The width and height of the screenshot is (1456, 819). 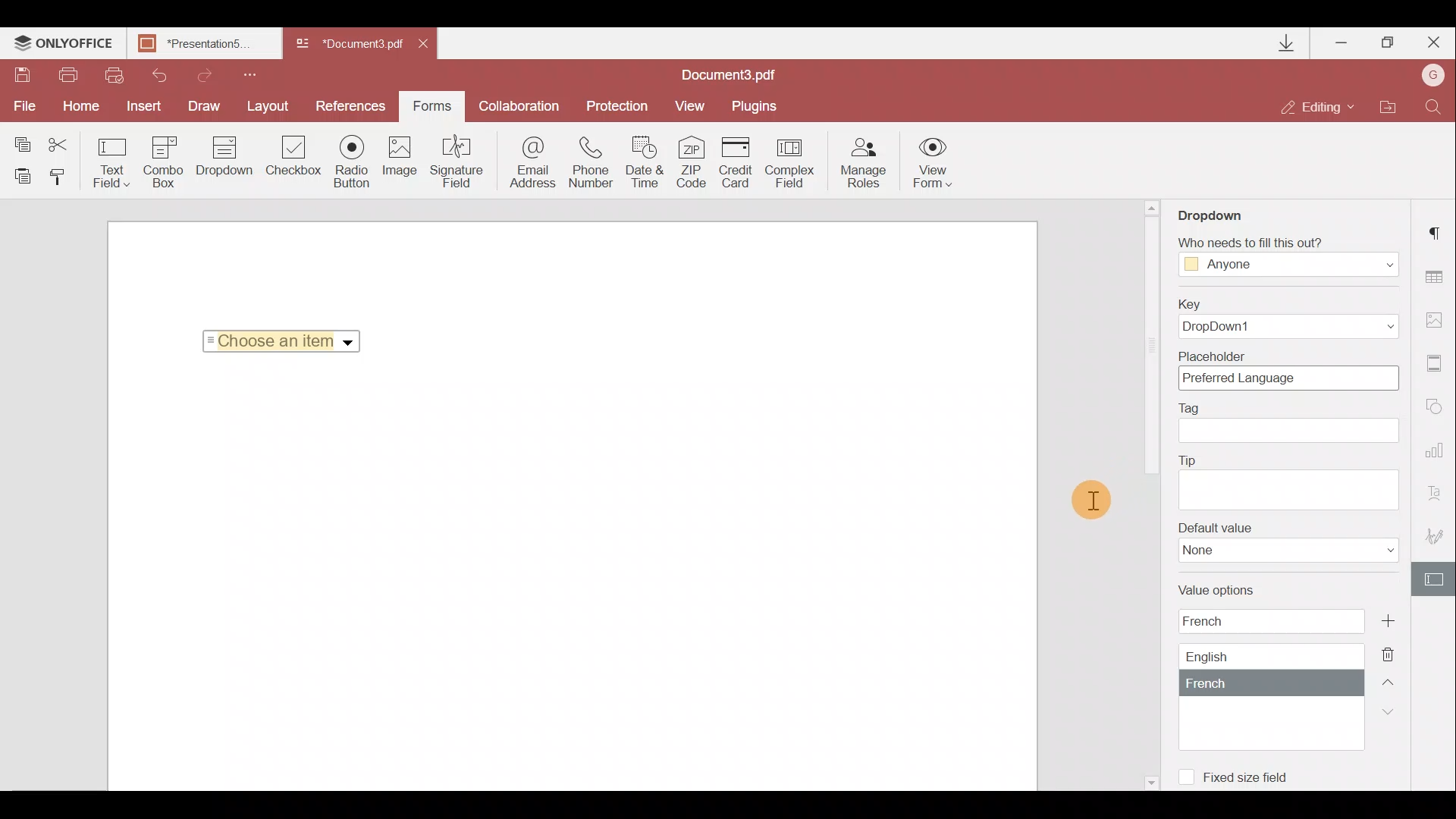 What do you see at coordinates (21, 141) in the screenshot?
I see `Copy` at bounding box center [21, 141].